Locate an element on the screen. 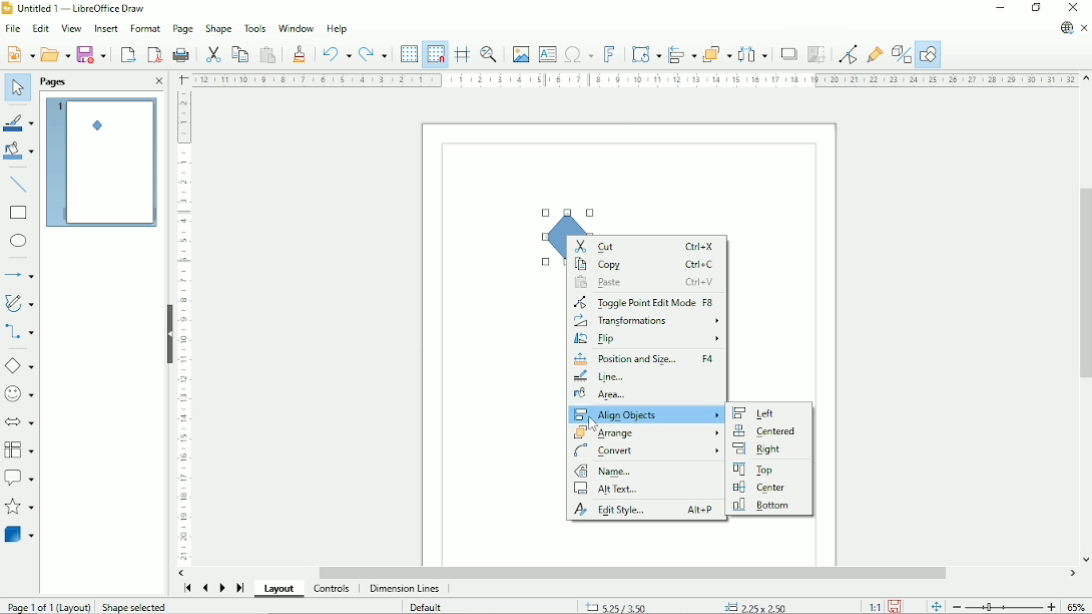  Display grid is located at coordinates (409, 54).